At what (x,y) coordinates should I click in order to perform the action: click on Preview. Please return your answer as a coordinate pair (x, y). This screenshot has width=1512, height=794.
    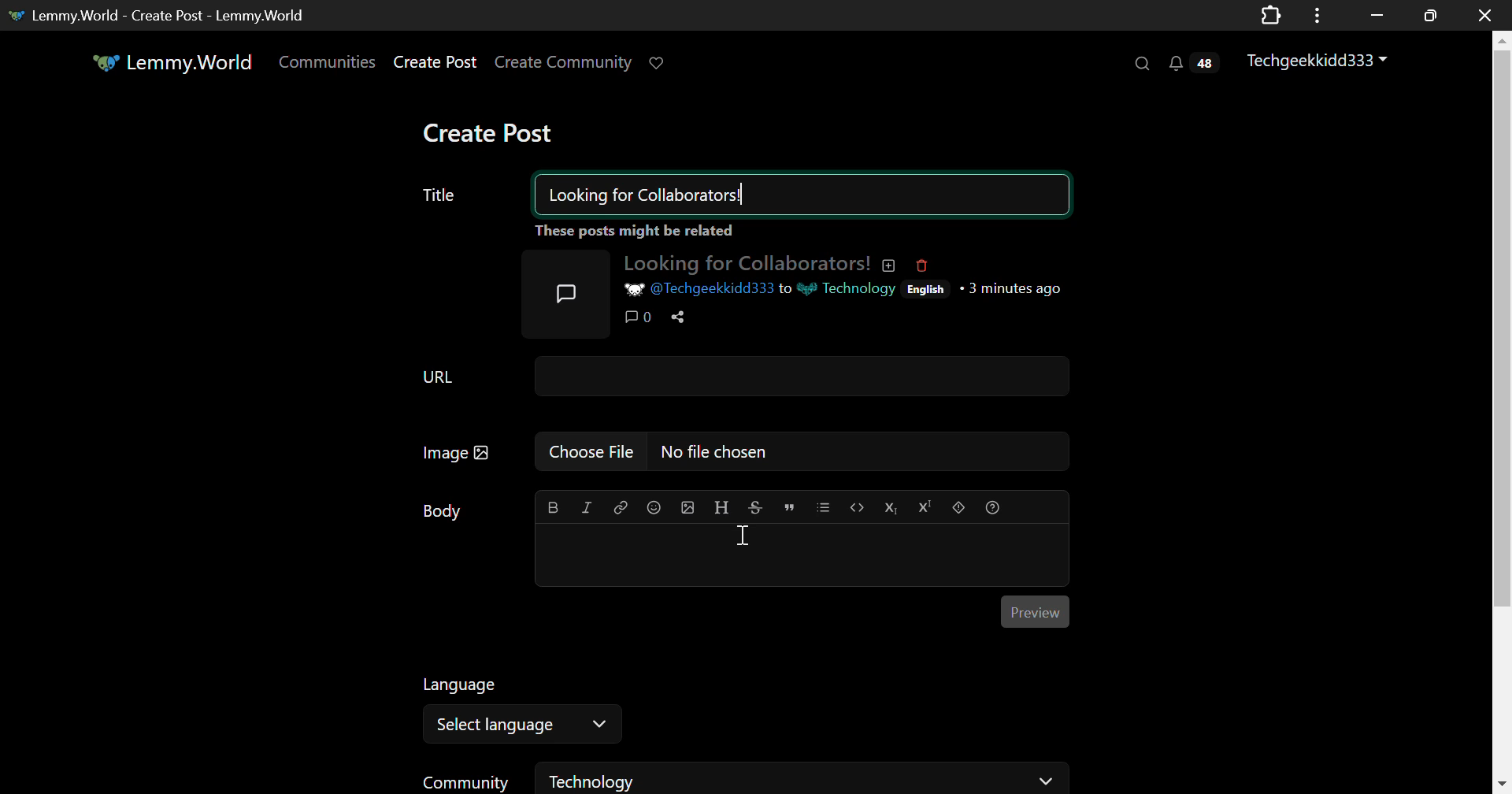
    Looking at the image, I should click on (1035, 613).